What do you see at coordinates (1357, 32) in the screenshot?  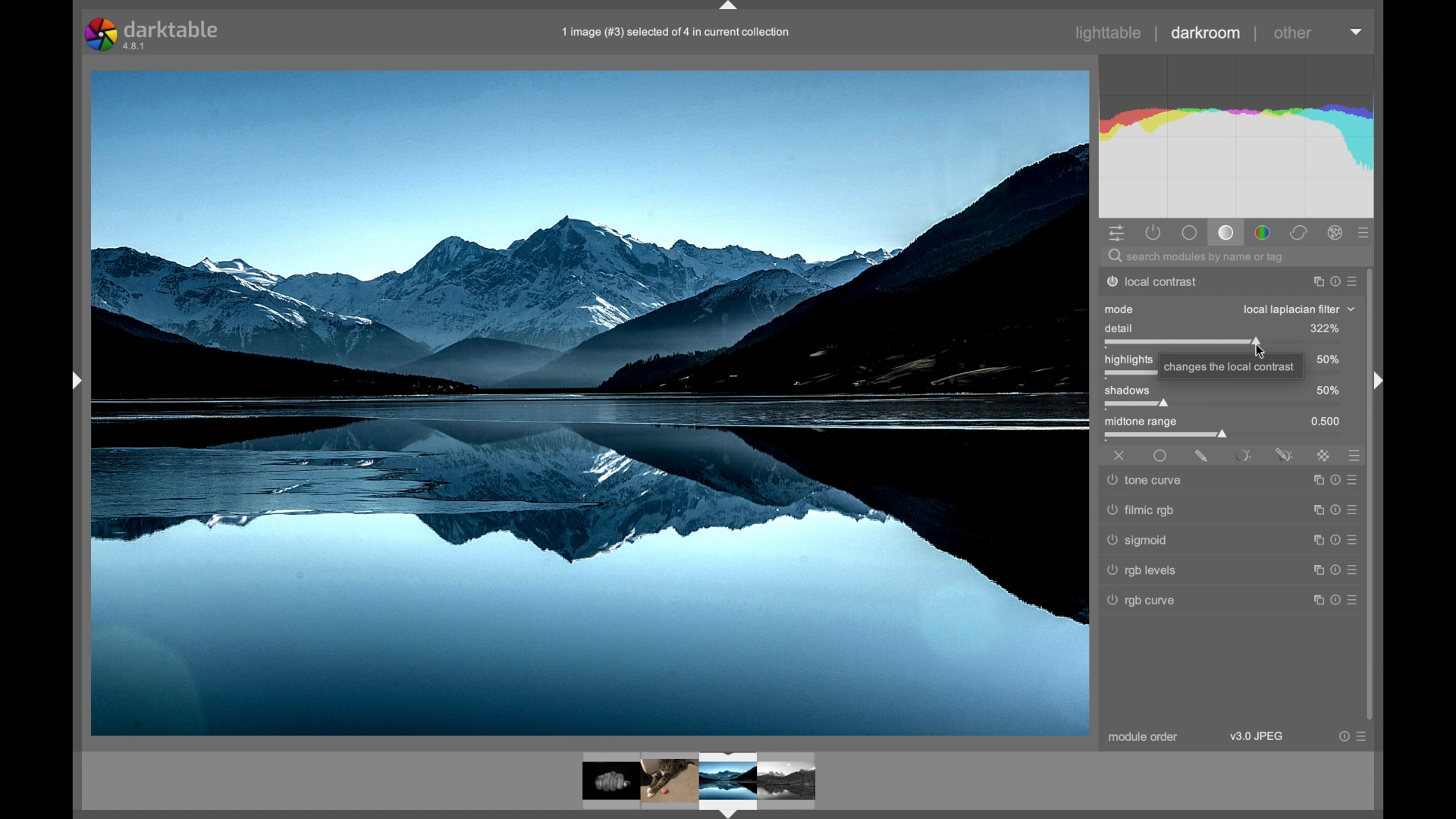 I see `histogram` at bounding box center [1357, 32].